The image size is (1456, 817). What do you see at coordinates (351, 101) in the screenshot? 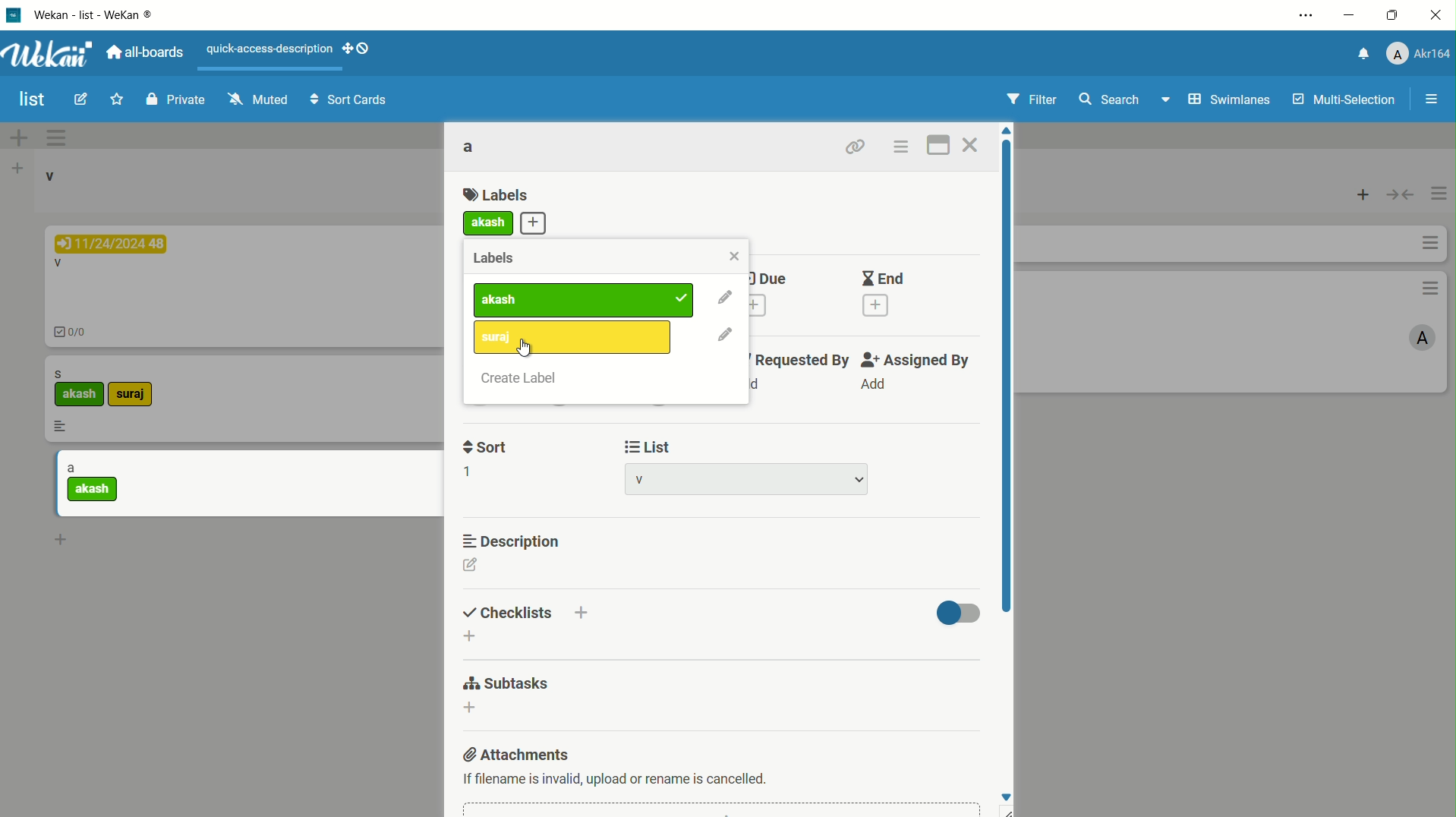
I see `sort cards` at bounding box center [351, 101].